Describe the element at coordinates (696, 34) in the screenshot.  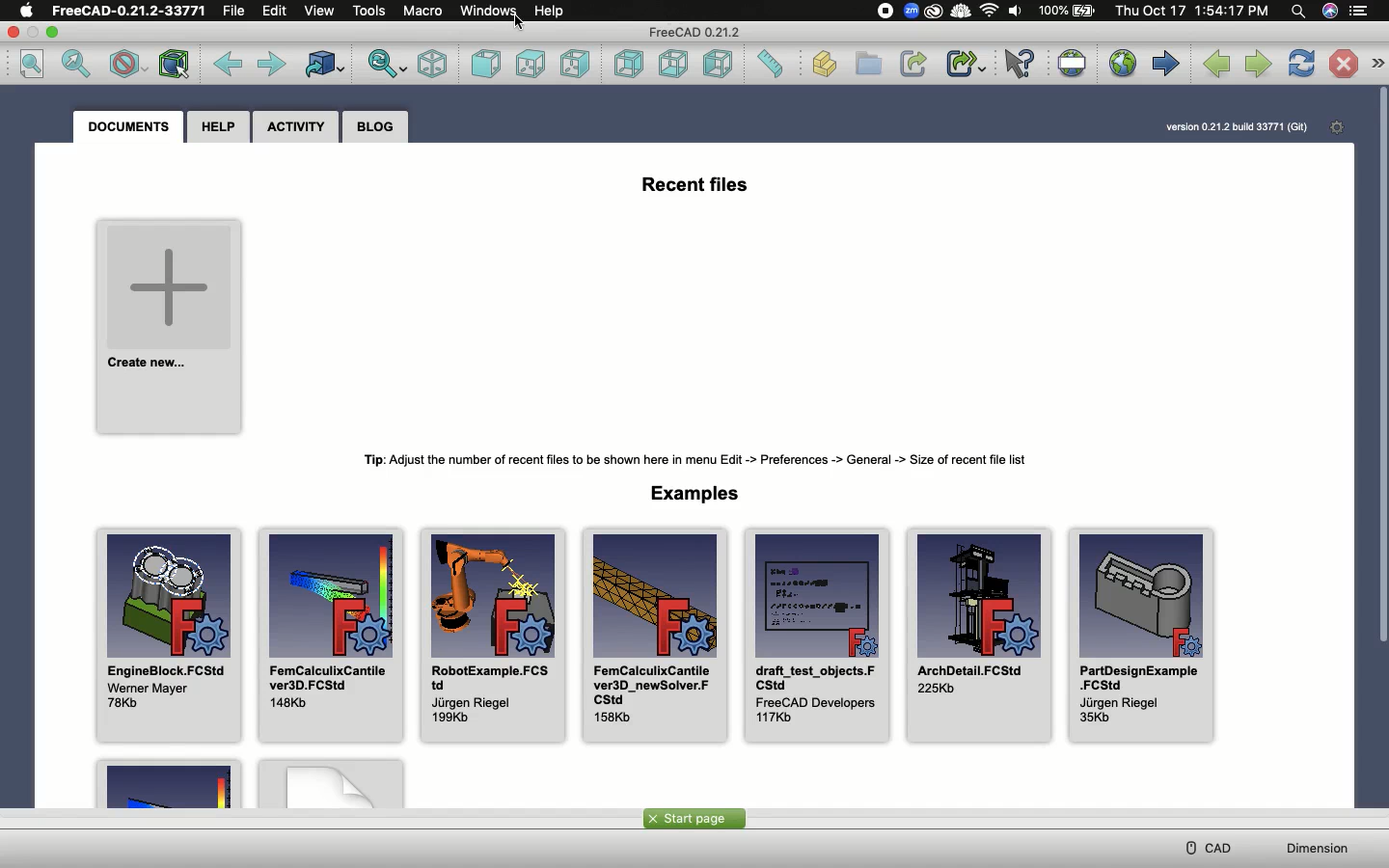
I see `FreeCAD` at that location.